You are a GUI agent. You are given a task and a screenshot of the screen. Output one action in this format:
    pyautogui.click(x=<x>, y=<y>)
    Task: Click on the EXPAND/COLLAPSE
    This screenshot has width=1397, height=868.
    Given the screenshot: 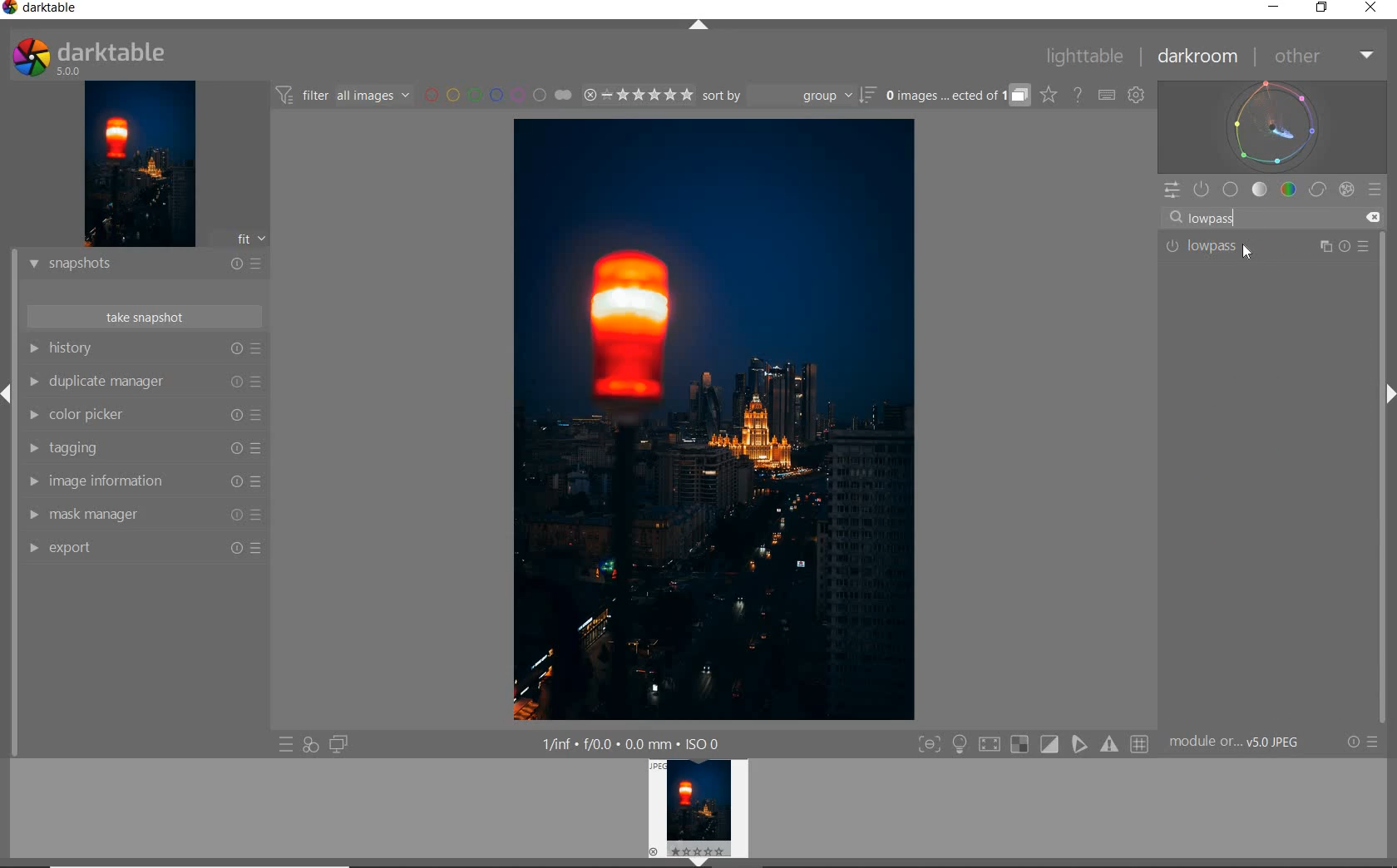 What is the action you would take?
    pyautogui.click(x=8, y=391)
    